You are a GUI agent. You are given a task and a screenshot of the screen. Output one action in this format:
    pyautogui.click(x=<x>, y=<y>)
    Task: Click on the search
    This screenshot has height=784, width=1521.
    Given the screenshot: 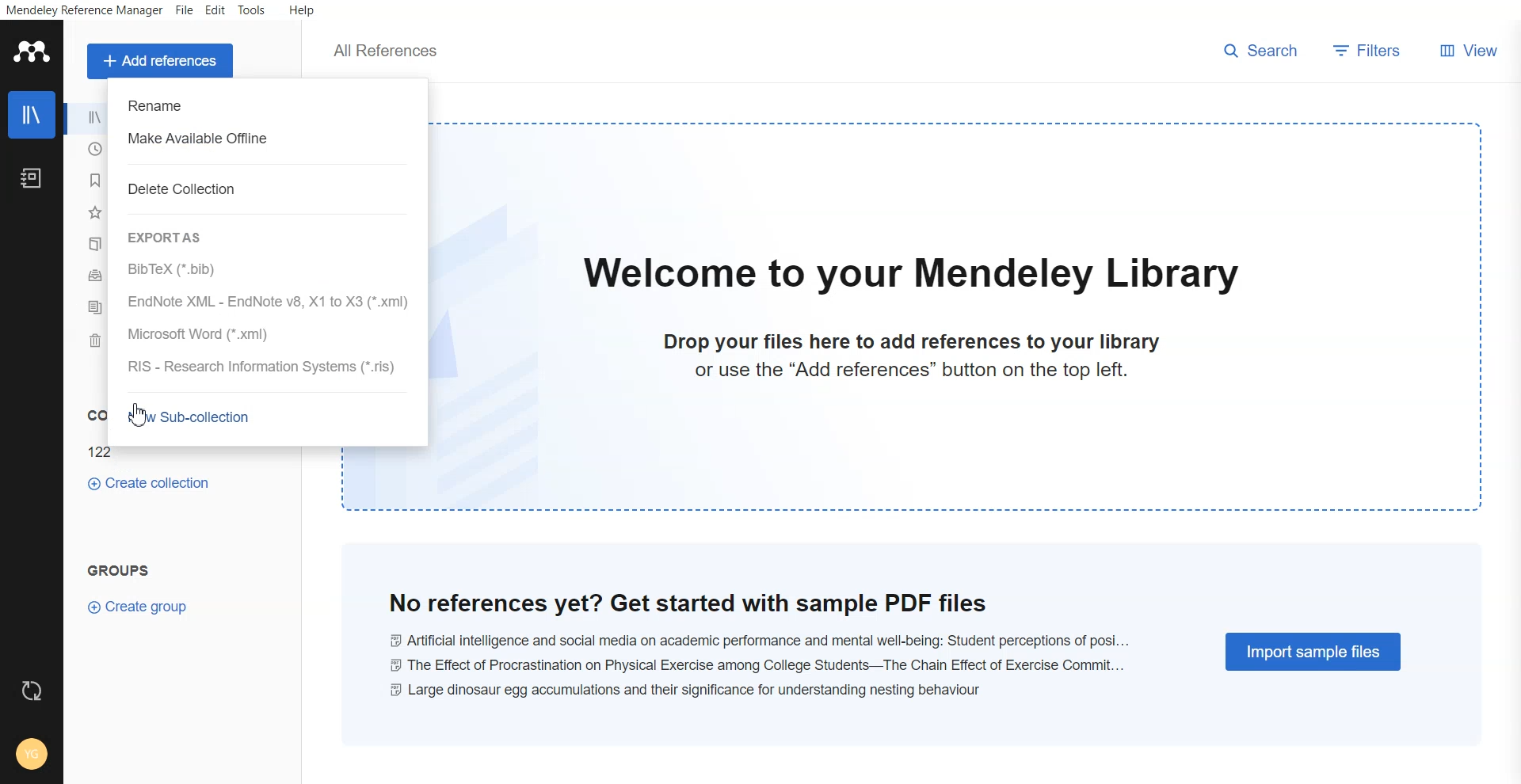 What is the action you would take?
    pyautogui.click(x=1259, y=48)
    